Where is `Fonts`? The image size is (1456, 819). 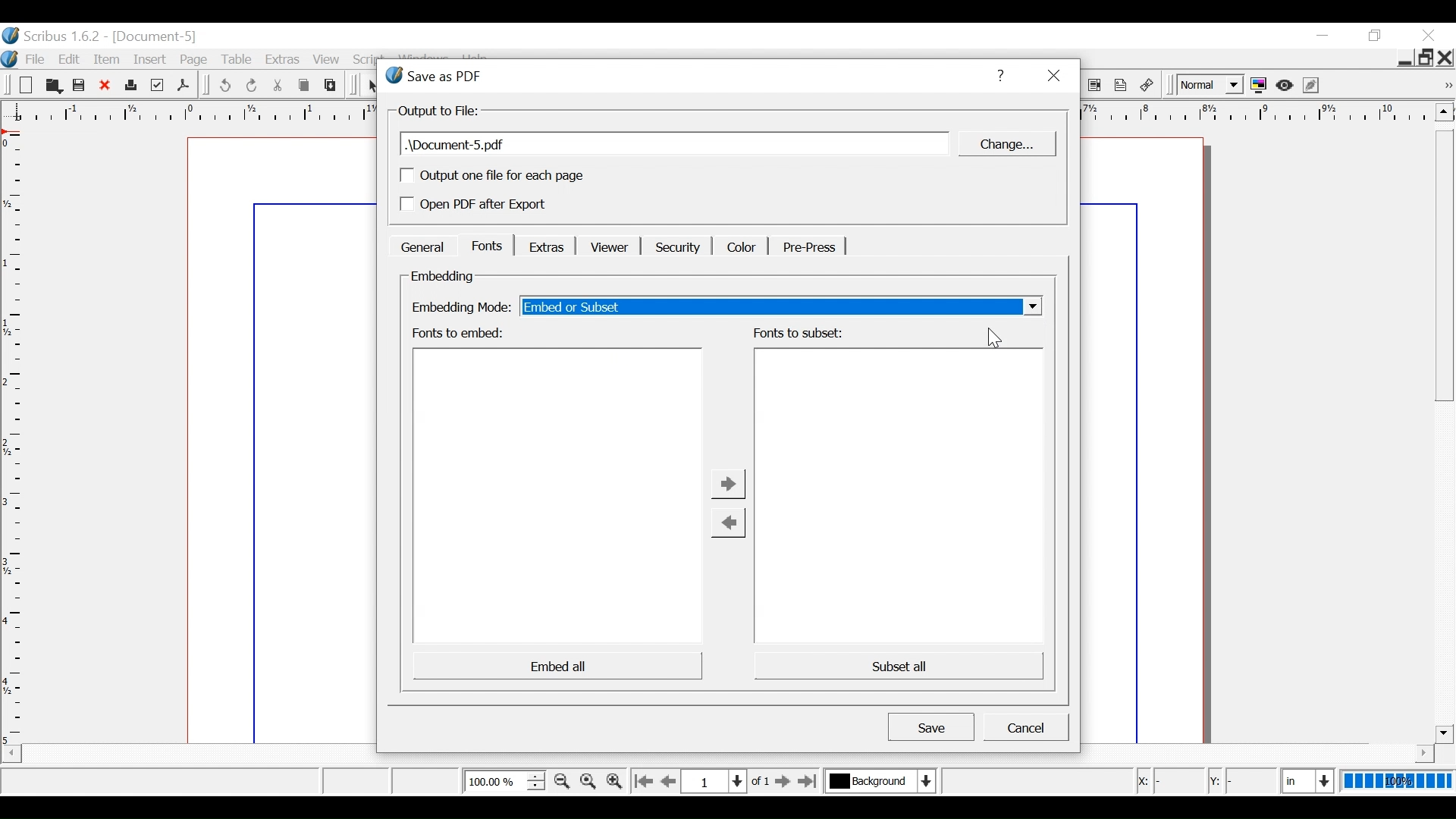
Fonts is located at coordinates (486, 245).